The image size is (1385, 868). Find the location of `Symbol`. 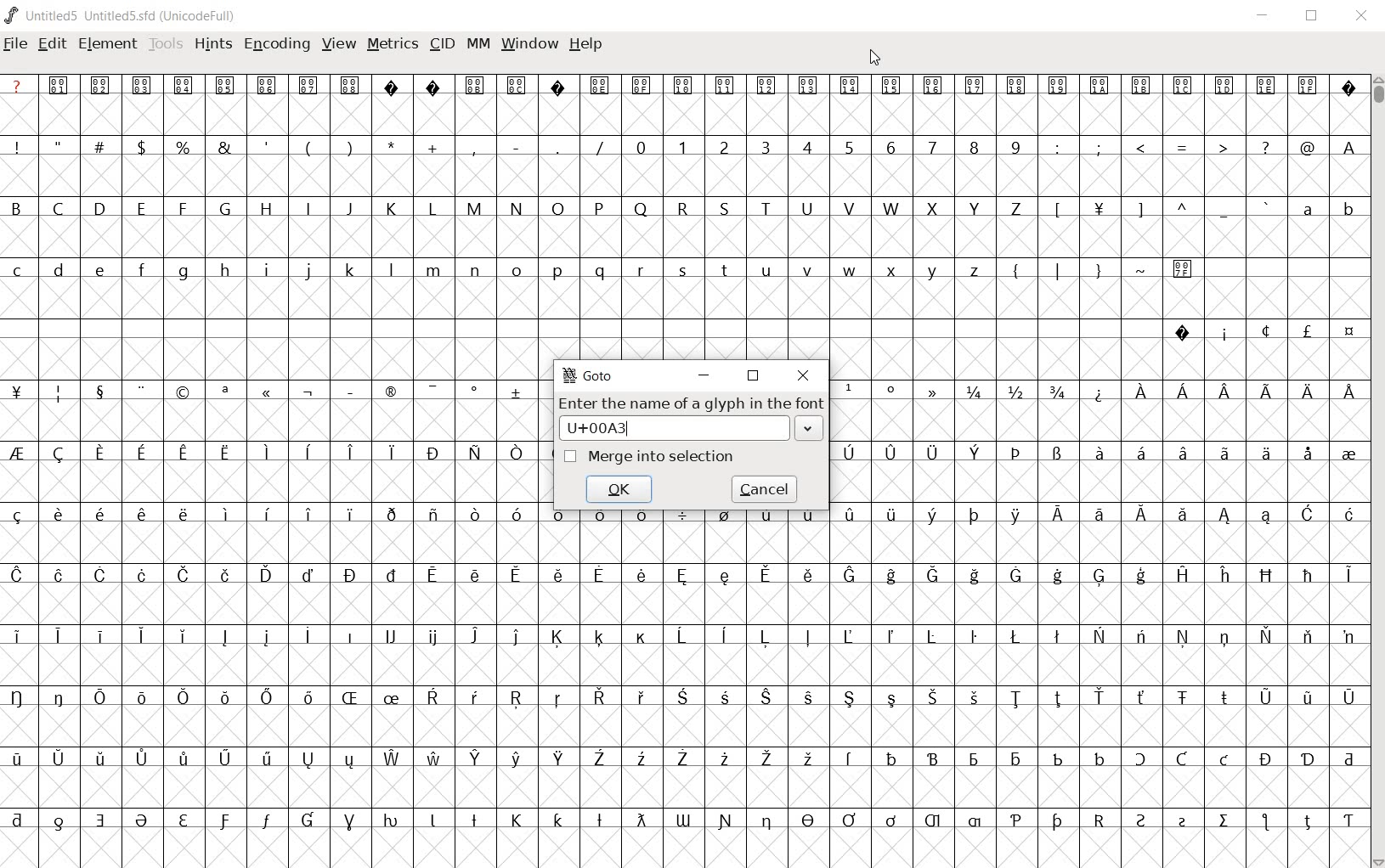

Symbol is located at coordinates (224, 821).